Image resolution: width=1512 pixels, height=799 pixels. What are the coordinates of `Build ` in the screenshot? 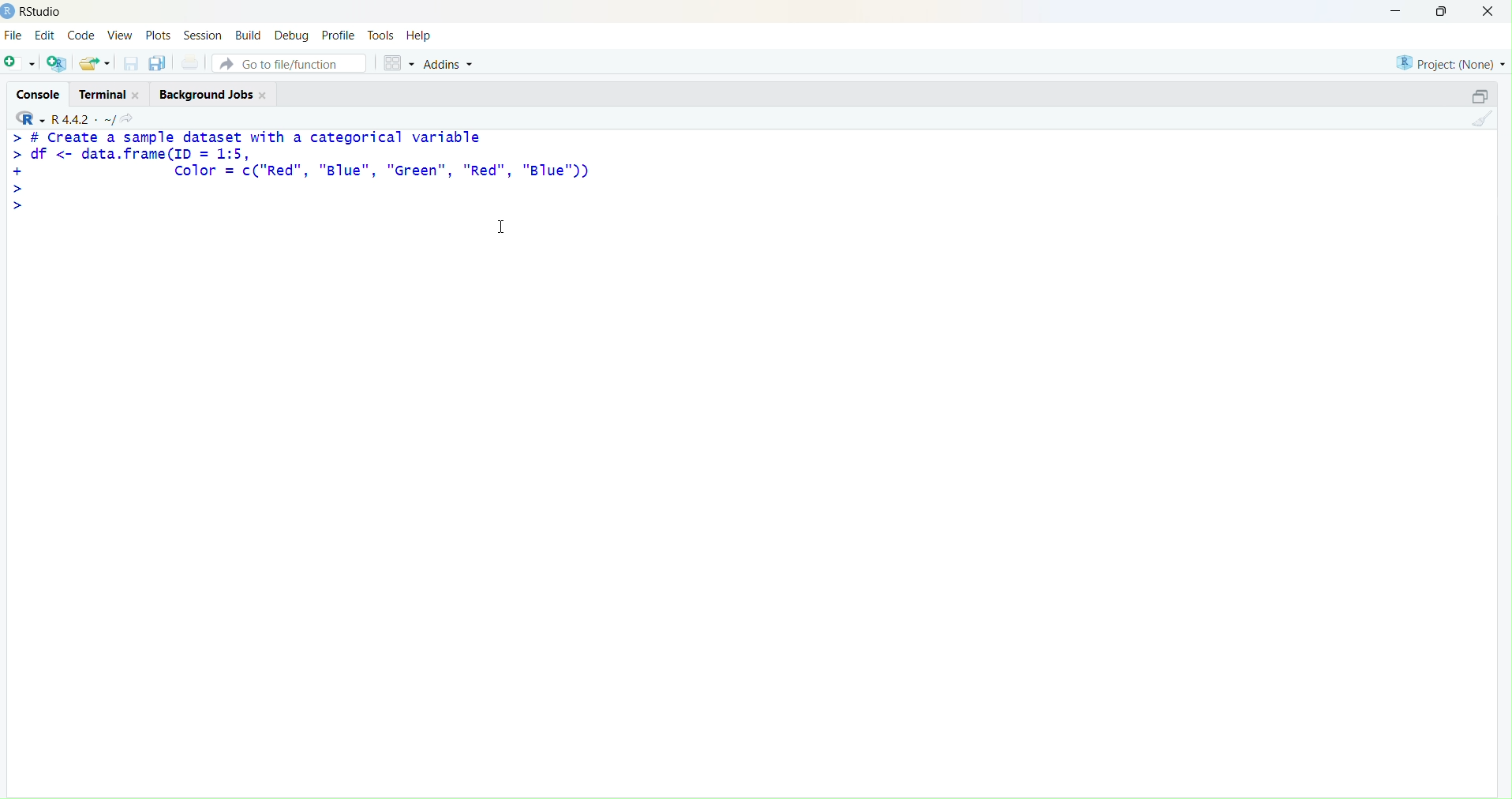 It's located at (250, 35).